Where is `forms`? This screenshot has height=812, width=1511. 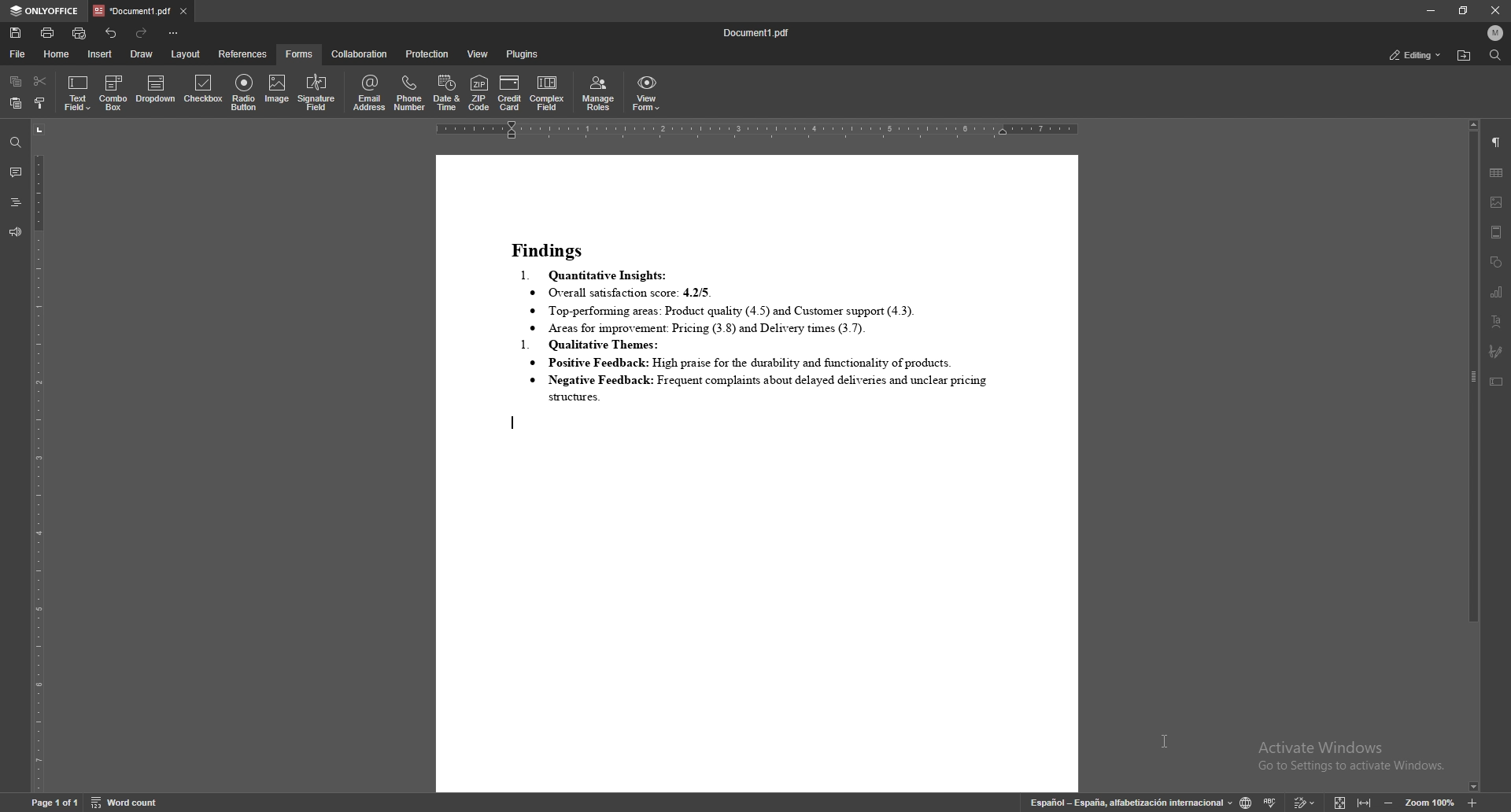 forms is located at coordinates (300, 54).